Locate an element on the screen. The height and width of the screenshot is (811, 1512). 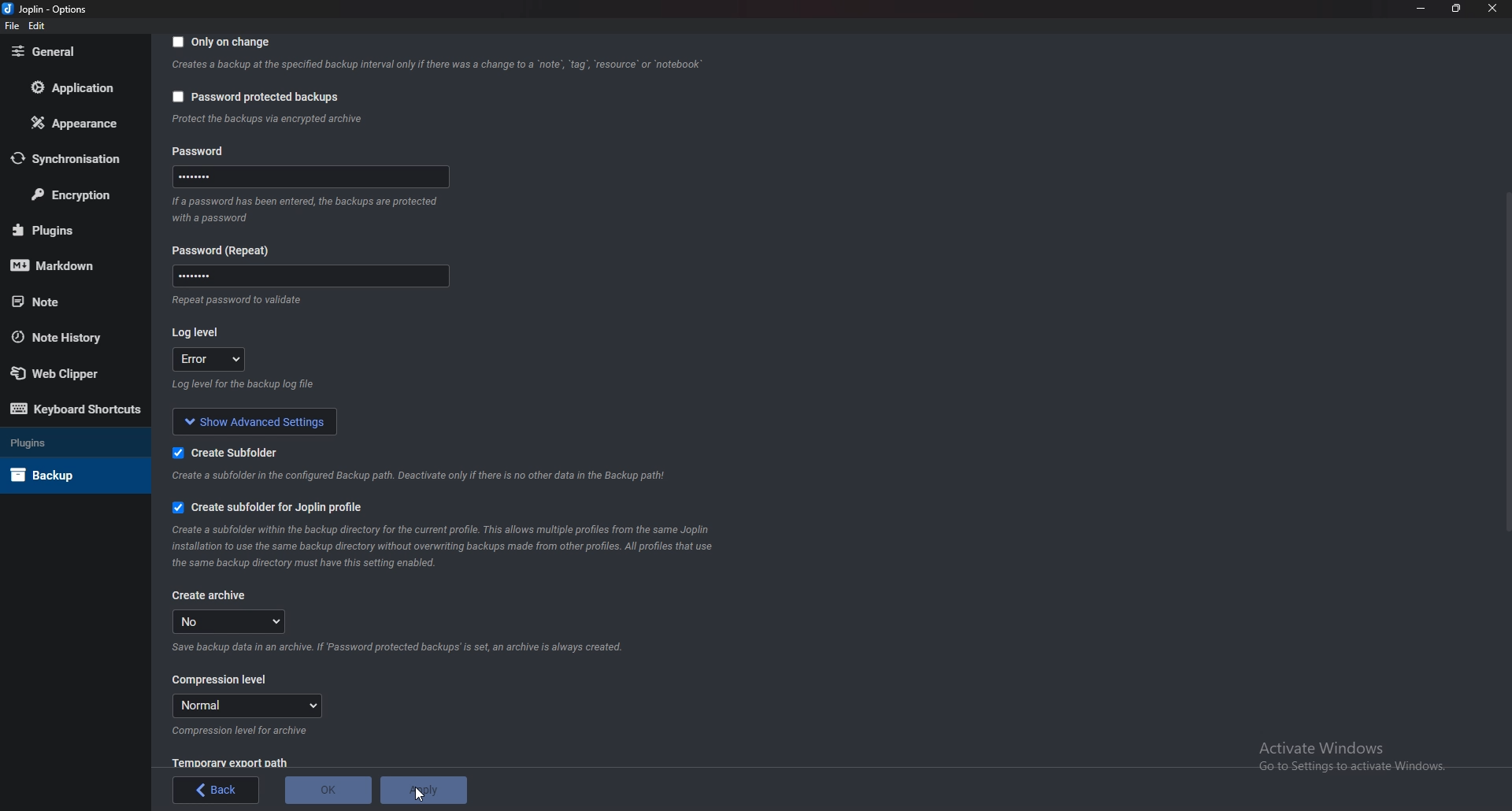
Compression level is located at coordinates (220, 680).